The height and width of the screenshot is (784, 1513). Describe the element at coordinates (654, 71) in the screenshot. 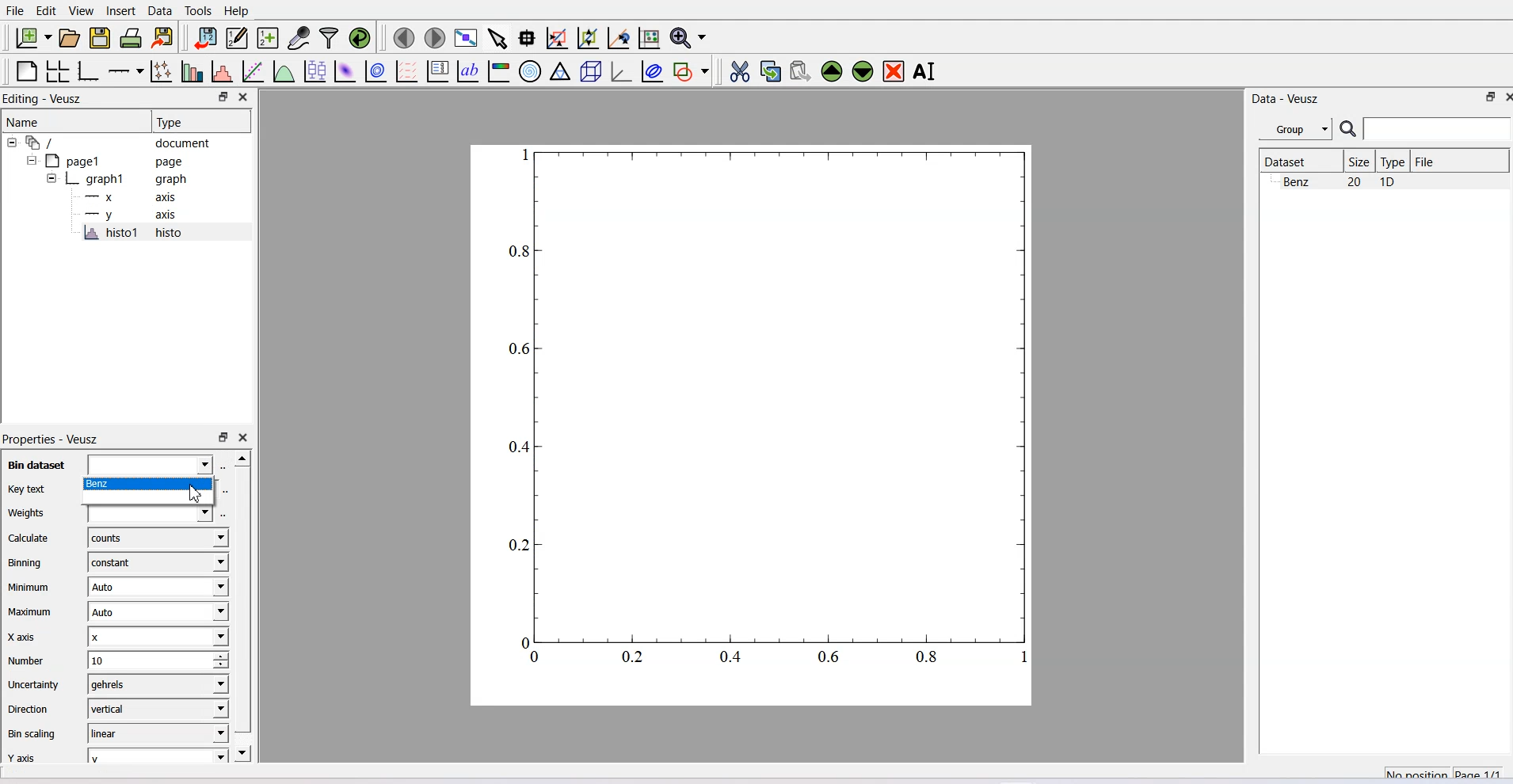

I see `Plot Covariance ellipses` at that location.